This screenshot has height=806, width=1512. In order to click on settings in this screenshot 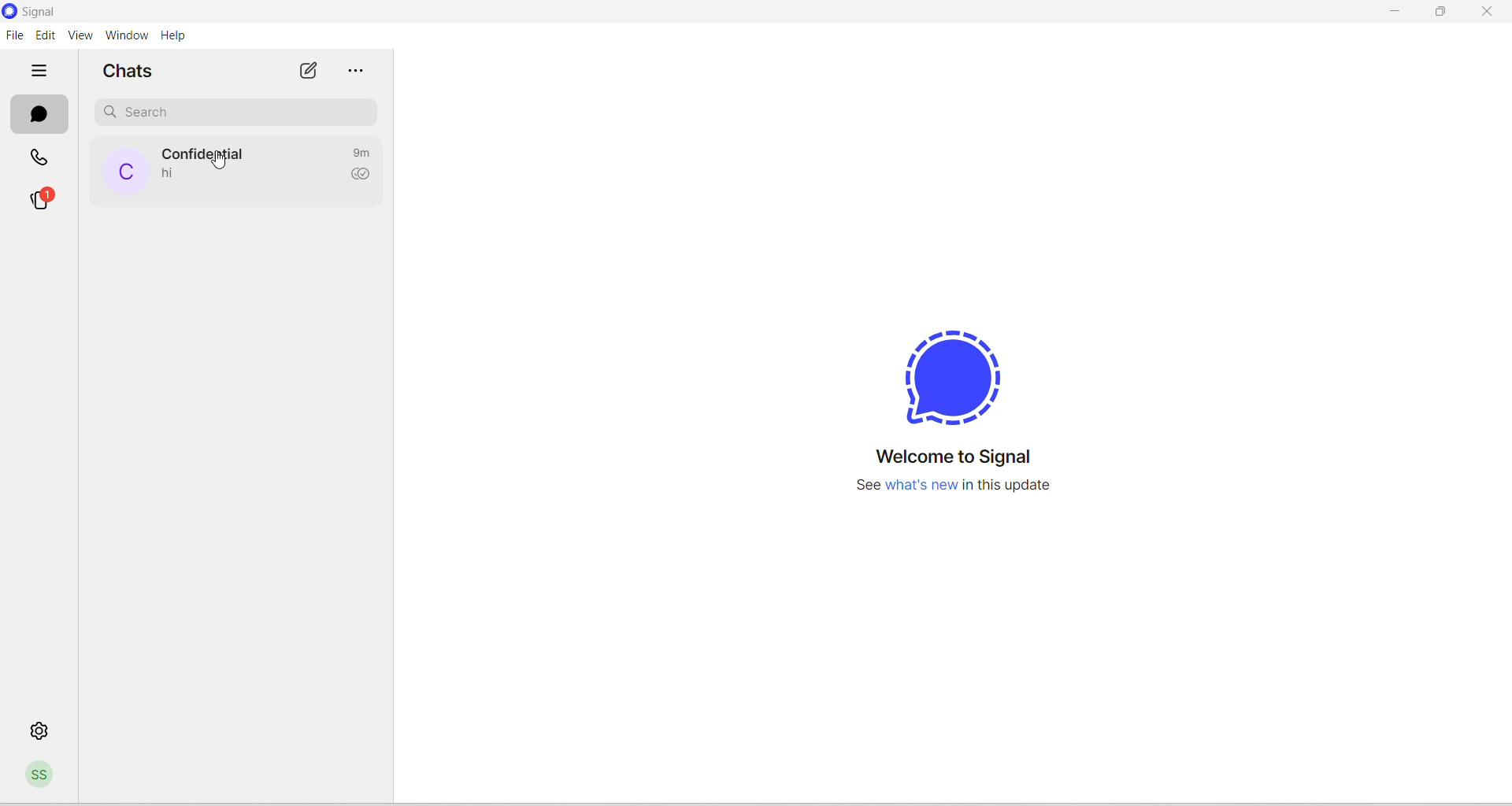, I will do `click(42, 730)`.